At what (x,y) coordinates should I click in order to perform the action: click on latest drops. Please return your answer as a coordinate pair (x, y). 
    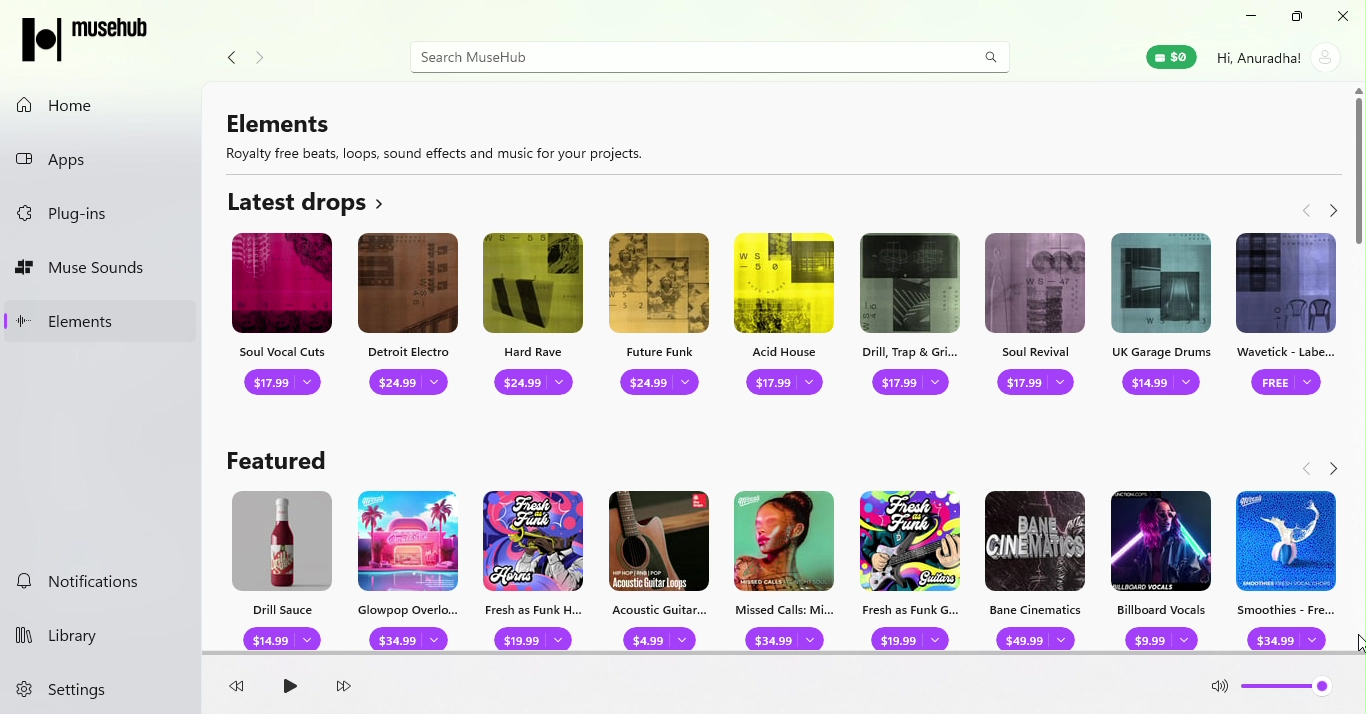
    Looking at the image, I should click on (308, 201).